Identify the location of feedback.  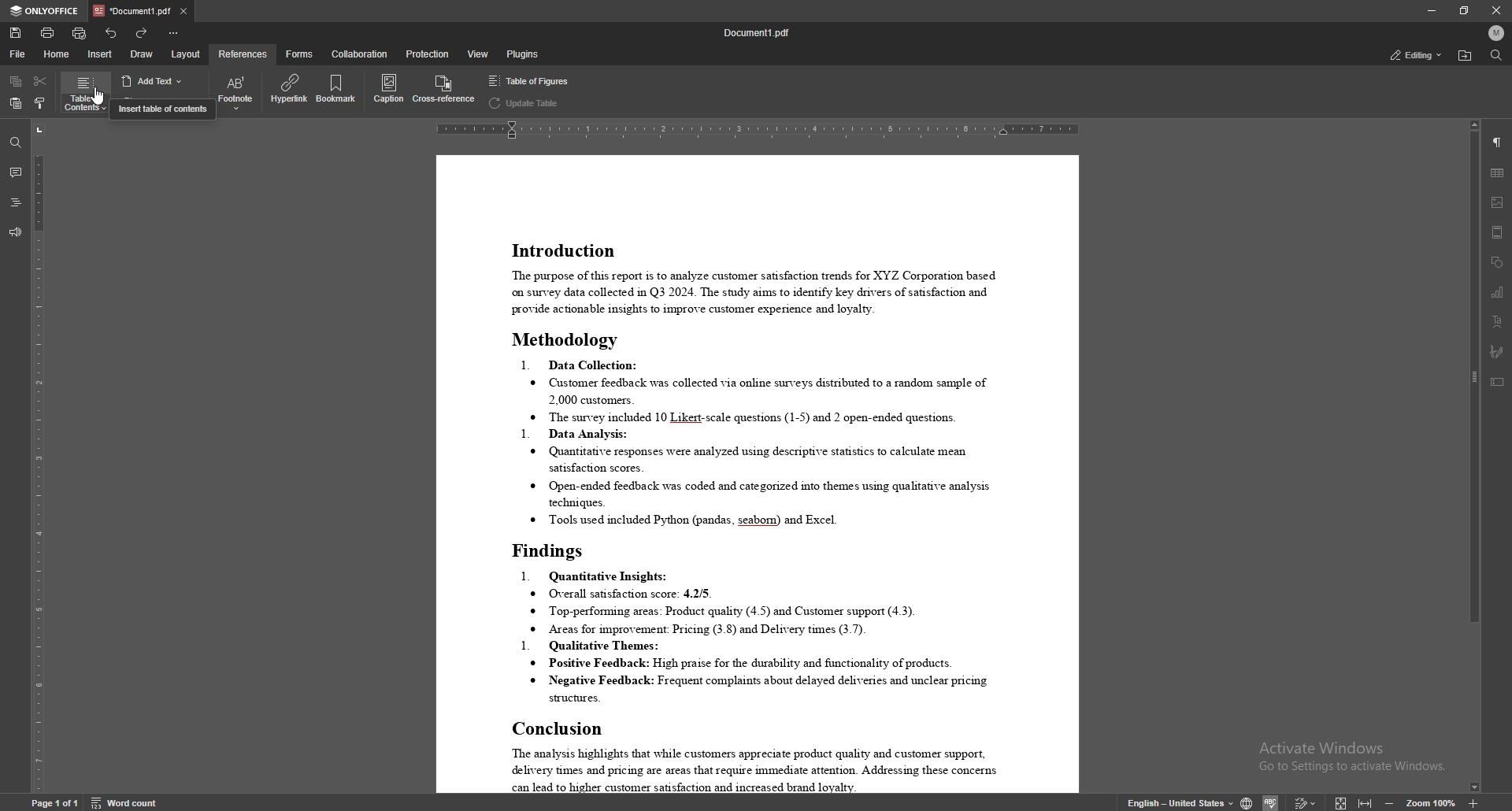
(16, 232).